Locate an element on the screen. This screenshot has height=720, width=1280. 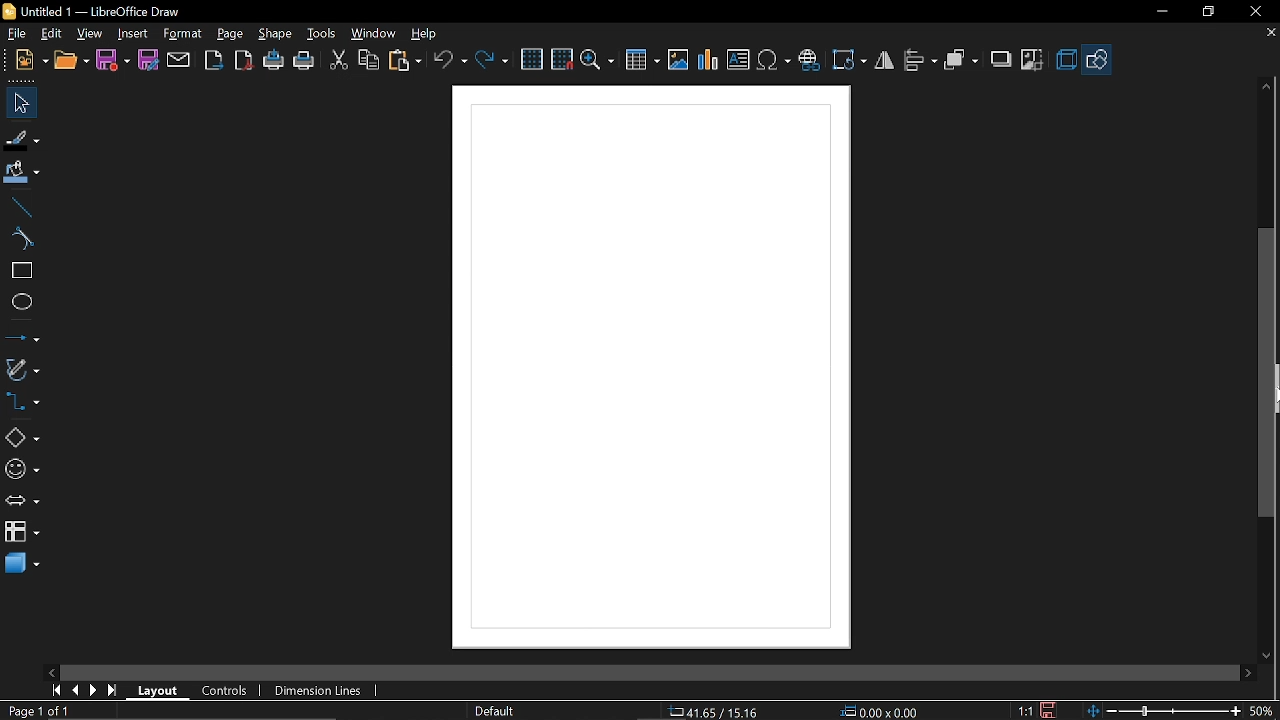
print is located at coordinates (302, 61).